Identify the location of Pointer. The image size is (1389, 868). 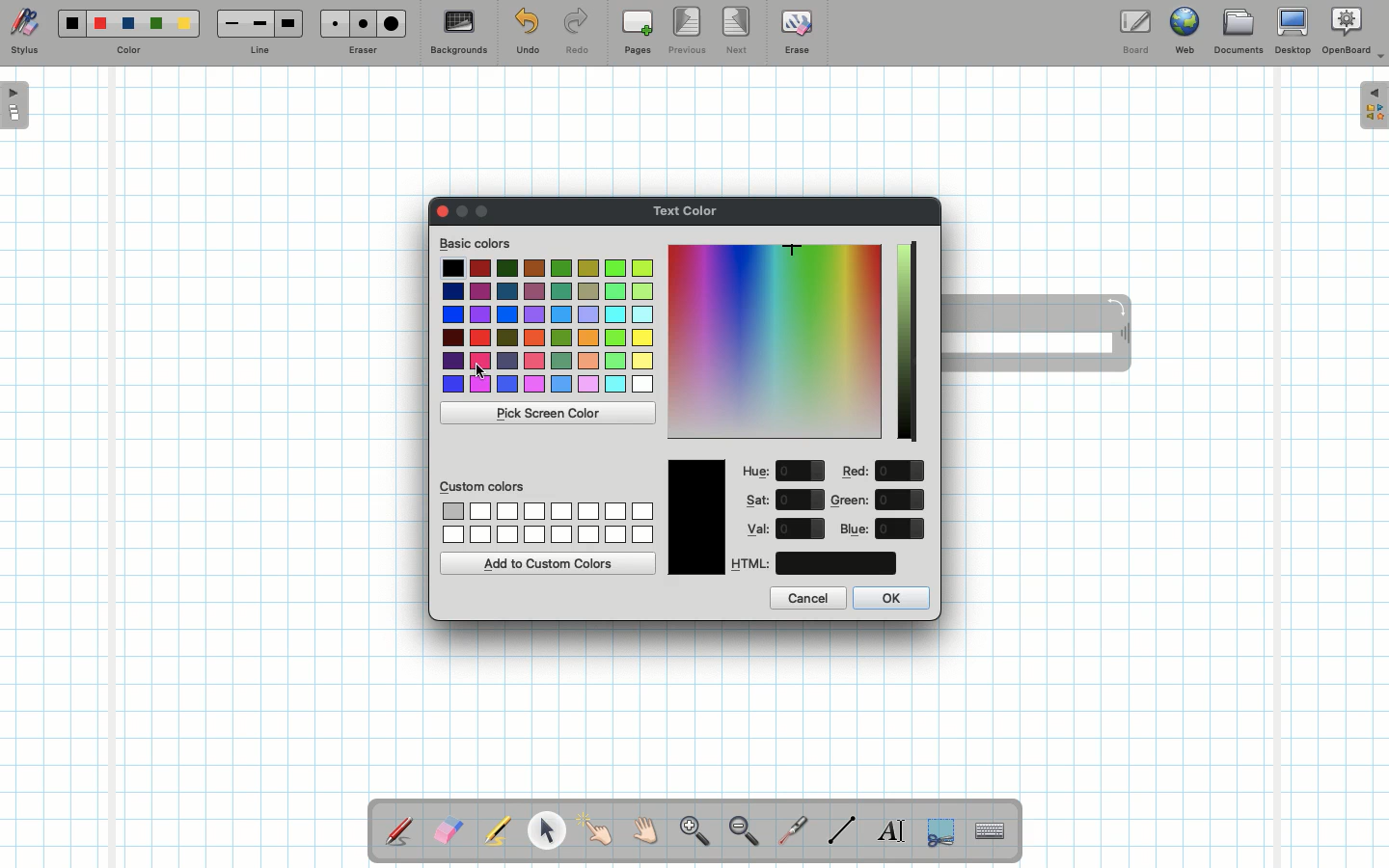
(596, 830).